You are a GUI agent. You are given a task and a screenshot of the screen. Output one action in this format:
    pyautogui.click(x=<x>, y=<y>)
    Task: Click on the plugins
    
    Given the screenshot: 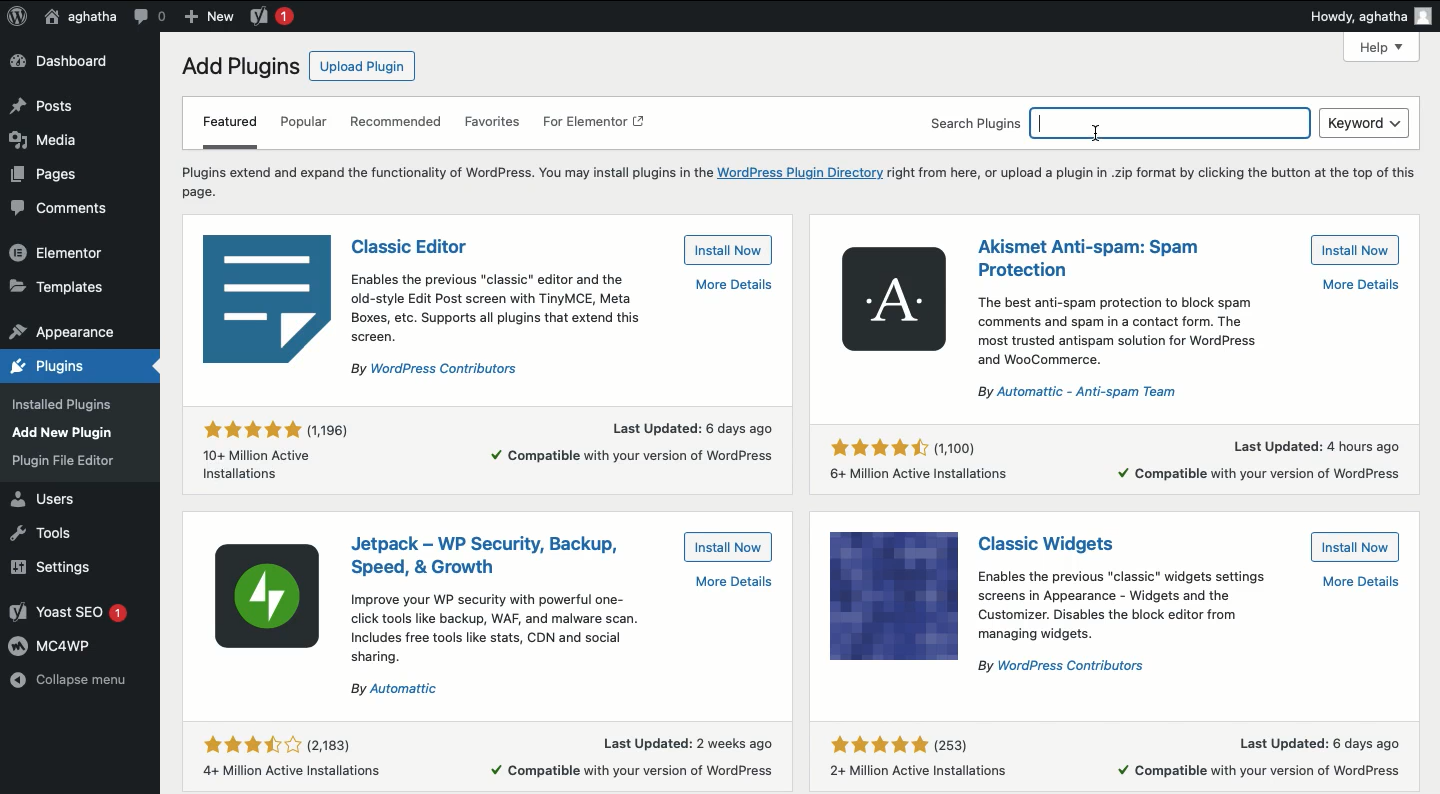 What is the action you would take?
    pyautogui.click(x=68, y=364)
    